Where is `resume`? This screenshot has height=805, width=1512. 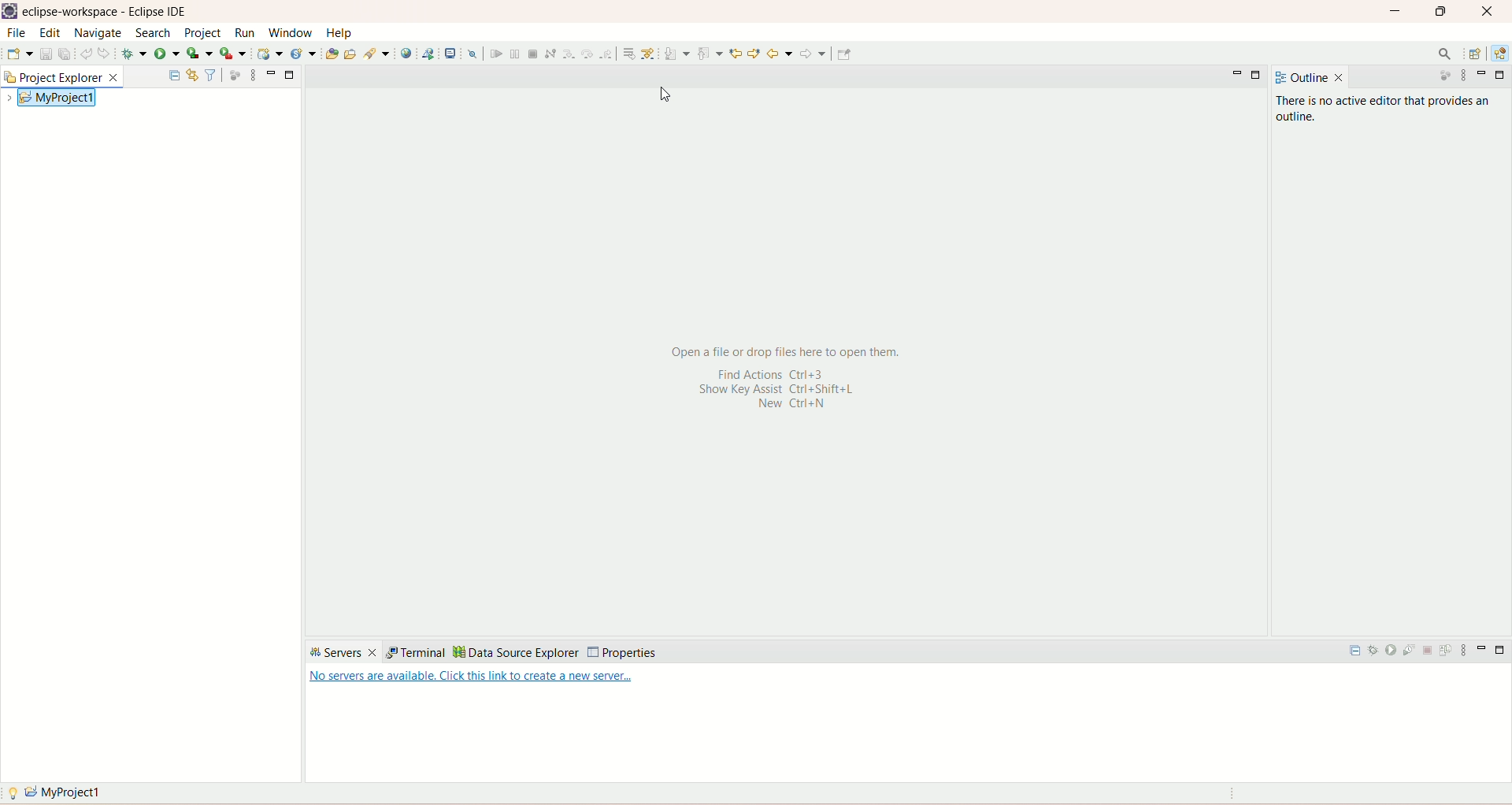 resume is located at coordinates (496, 54).